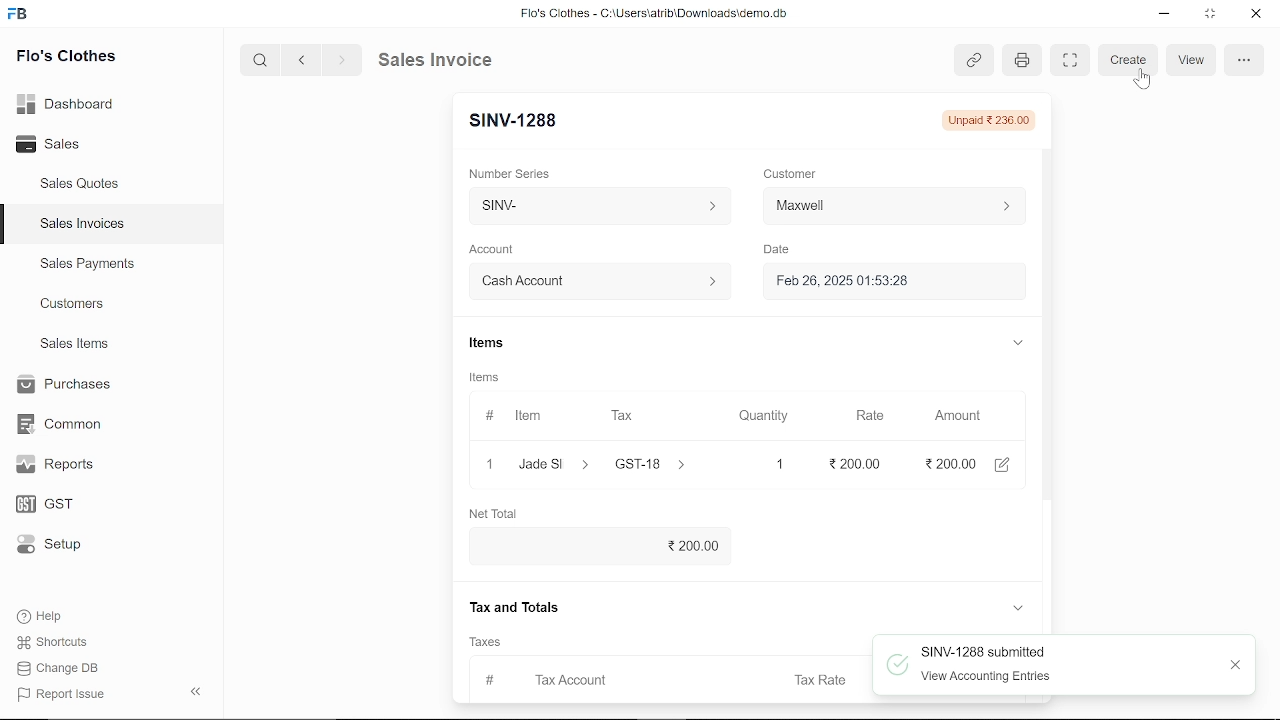  What do you see at coordinates (70, 103) in the screenshot?
I see `Dashboard` at bounding box center [70, 103].